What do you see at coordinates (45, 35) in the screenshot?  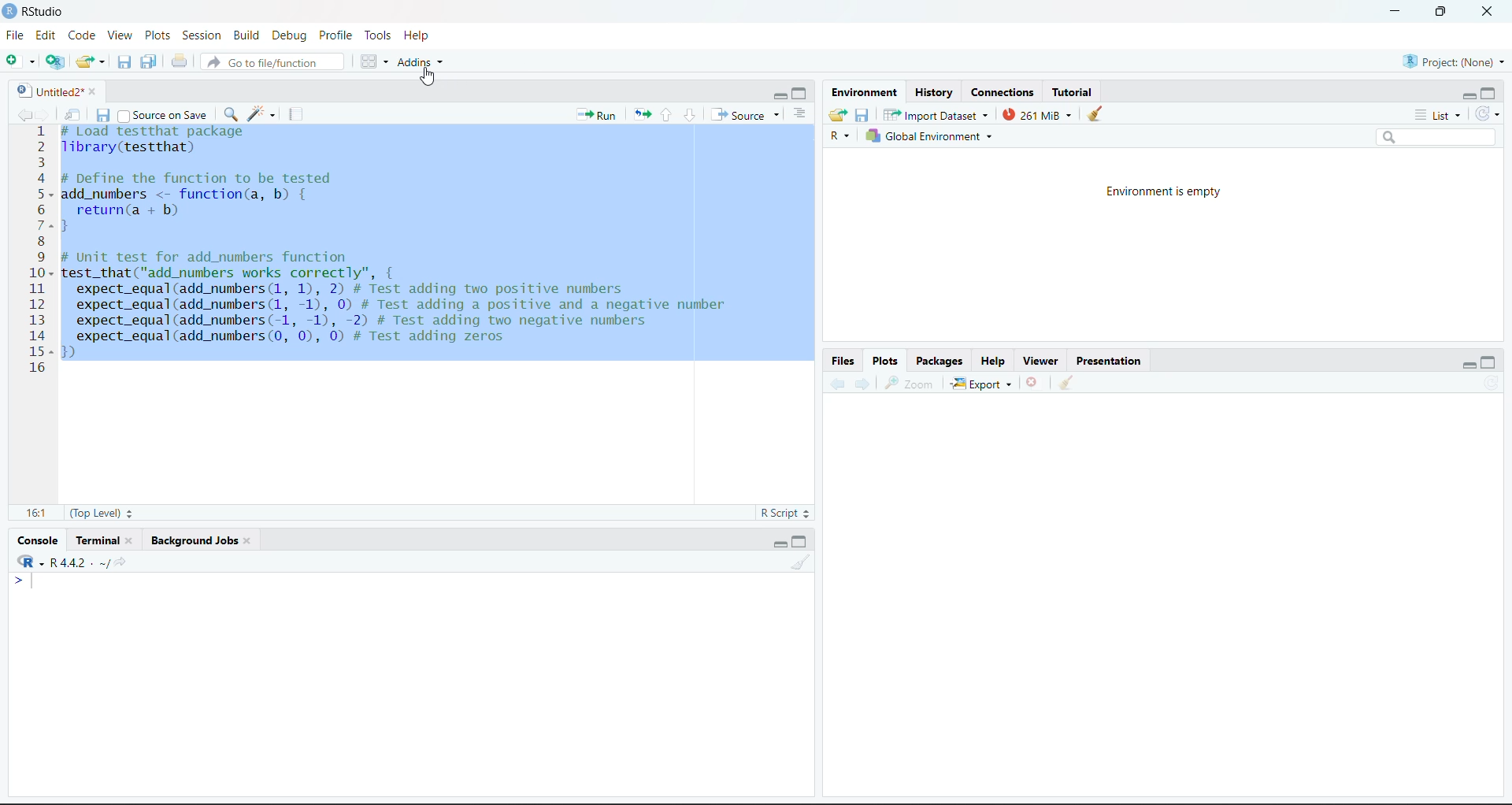 I see `Edit` at bounding box center [45, 35].